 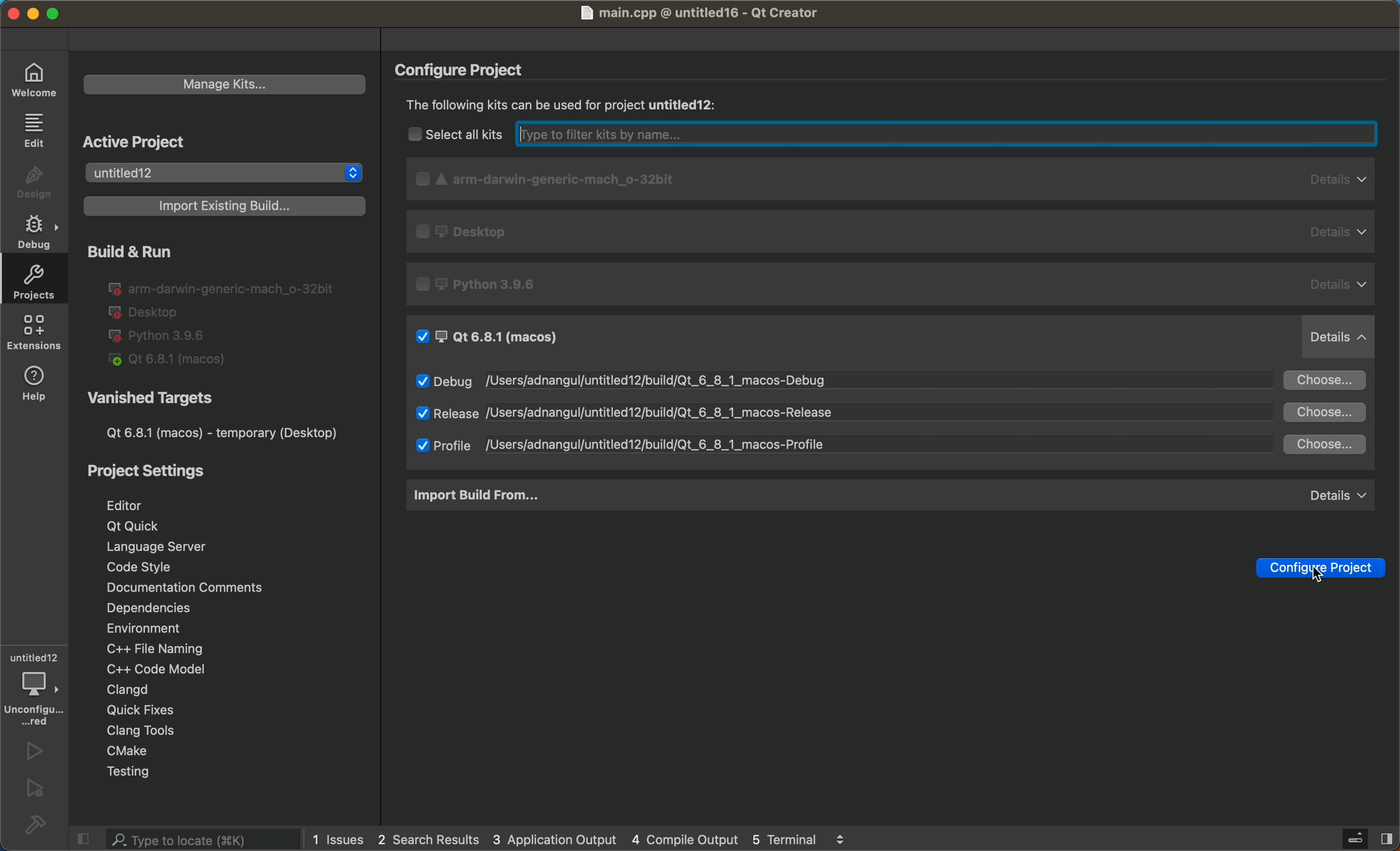 What do you see at coordinates (34, 129) in the screenshot?
I see `edit` at bounding box center [34, 129].